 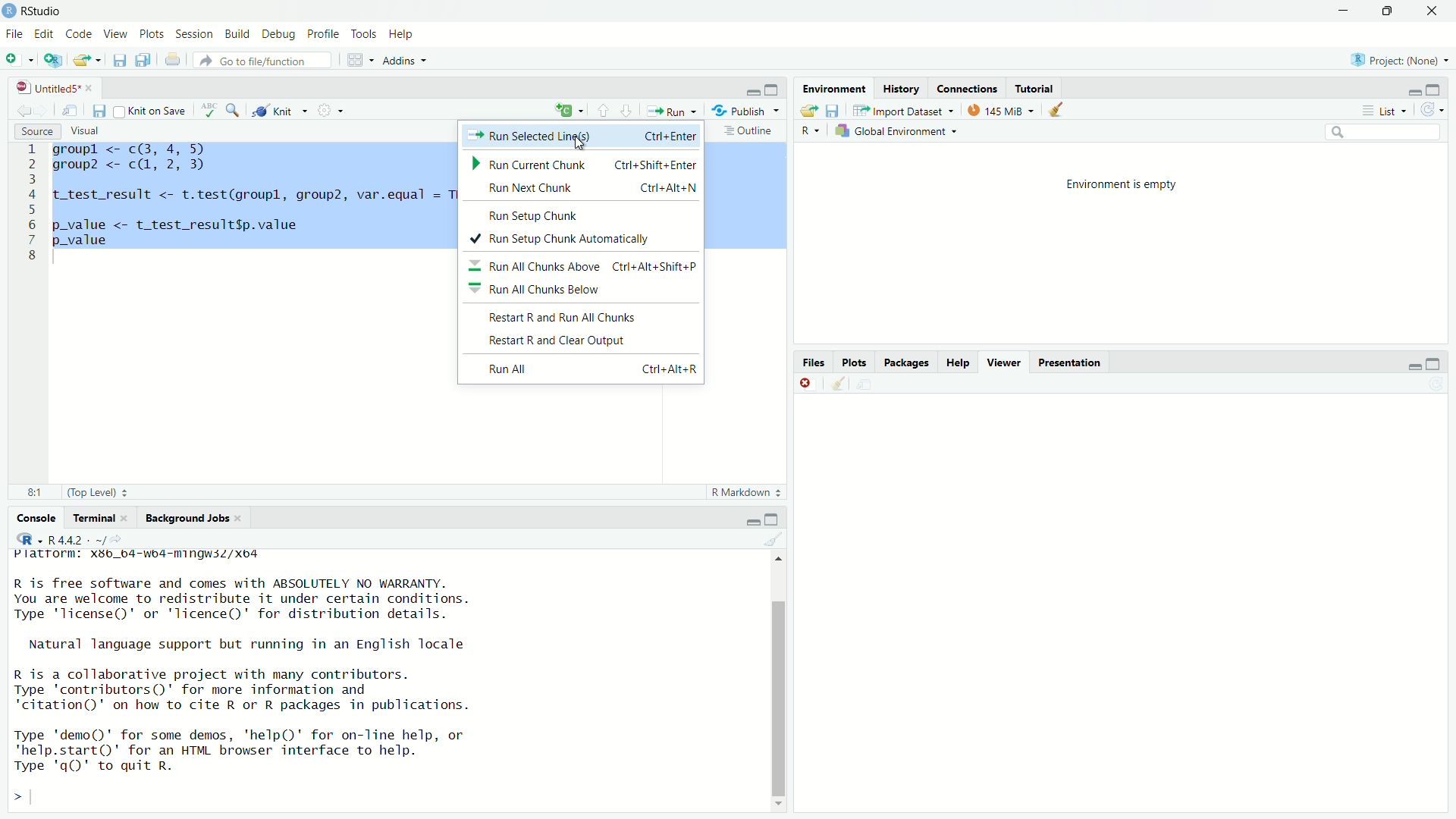 What do you see at coordinates (325, 33) in the screenshot?
I see `Profile` at bounding box center [325, 33].